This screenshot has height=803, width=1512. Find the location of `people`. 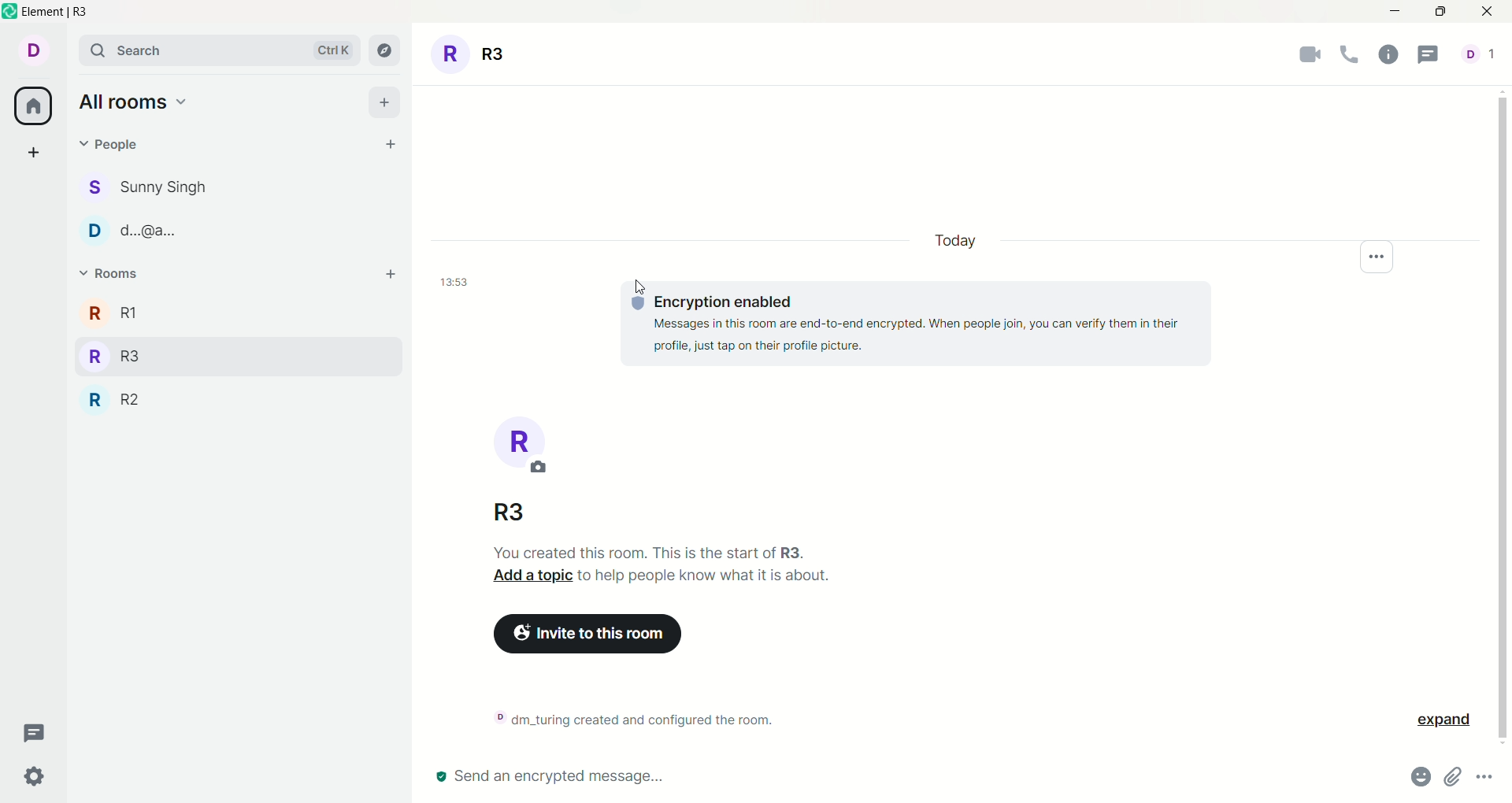

people is located at coordinates (148, 187).